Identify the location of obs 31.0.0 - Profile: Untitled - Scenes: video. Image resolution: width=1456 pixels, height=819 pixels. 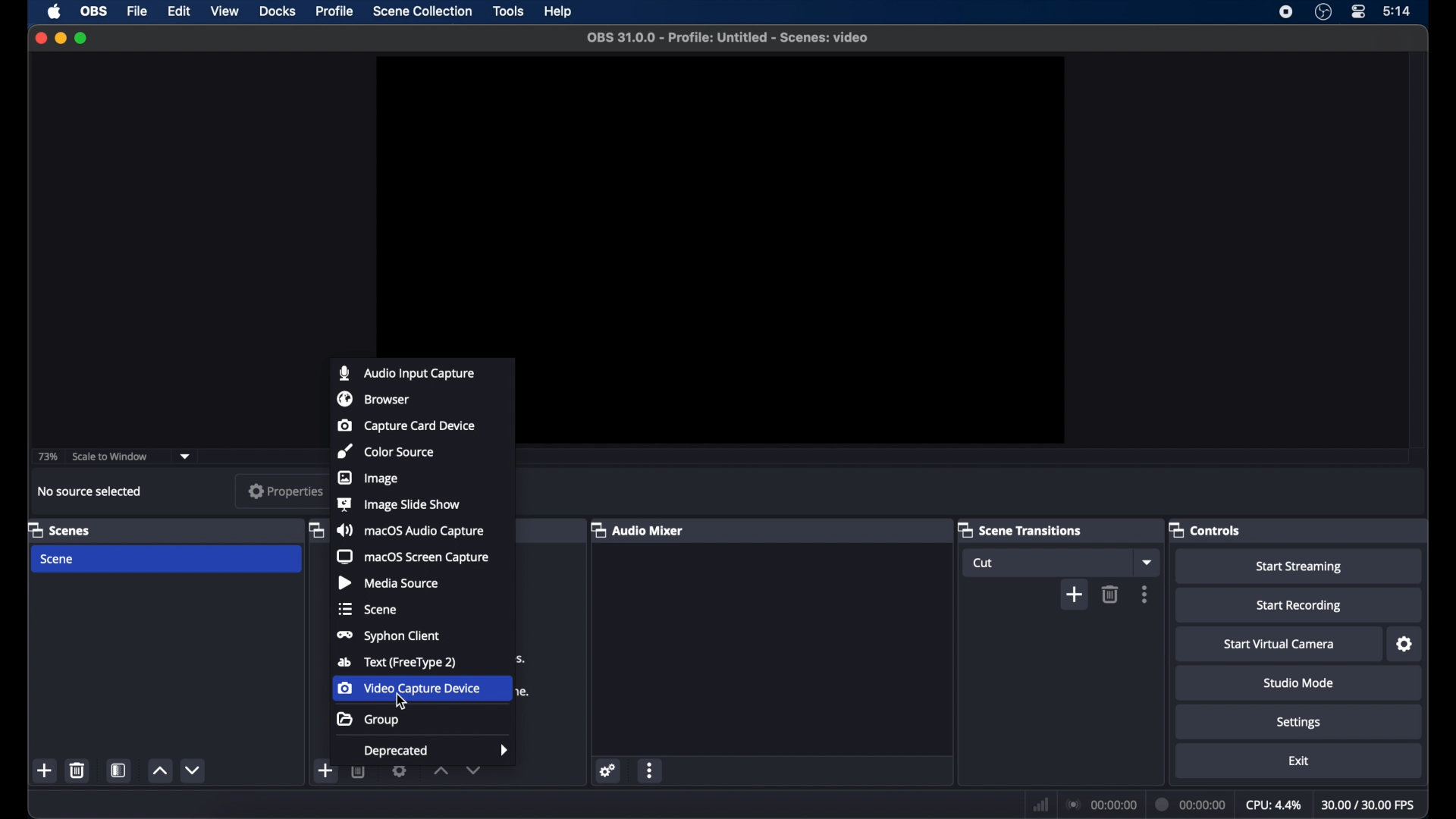
(732, 38).